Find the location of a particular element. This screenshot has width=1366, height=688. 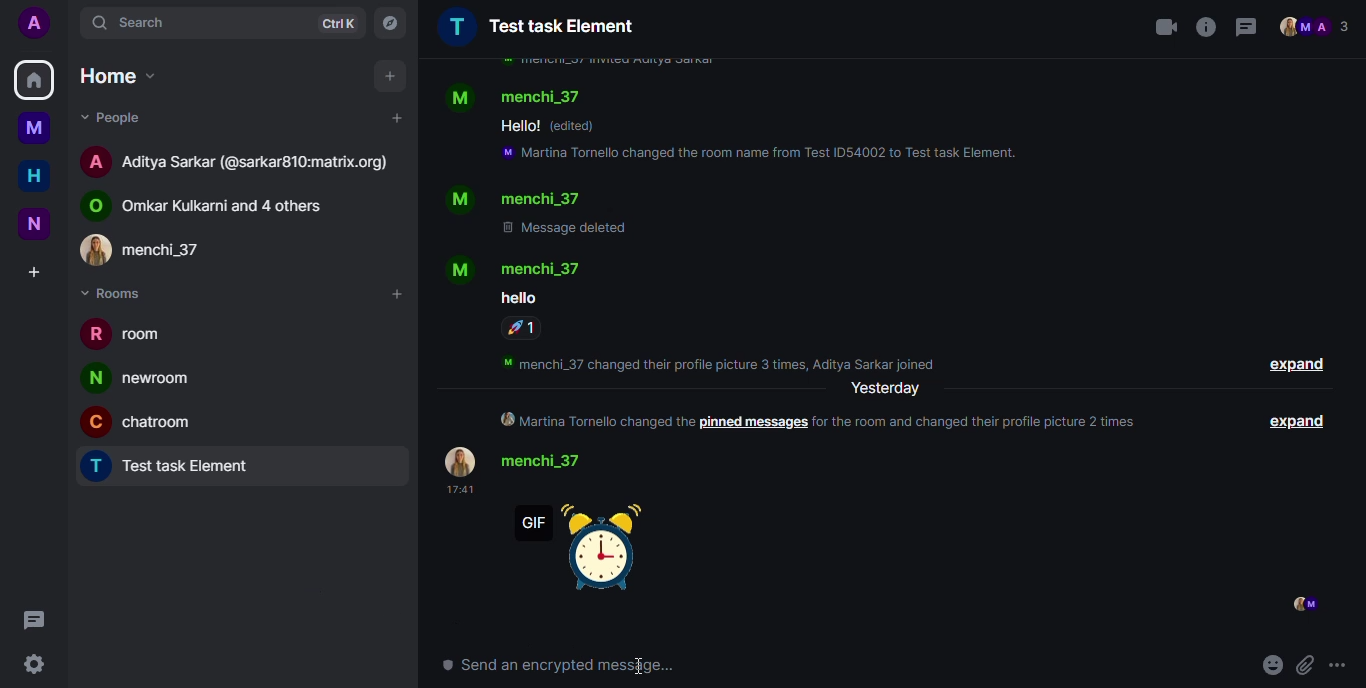

info- Martina Tortello changed the room name. Test ID54002 to Test task Element. is located at coordinates (762, 155).